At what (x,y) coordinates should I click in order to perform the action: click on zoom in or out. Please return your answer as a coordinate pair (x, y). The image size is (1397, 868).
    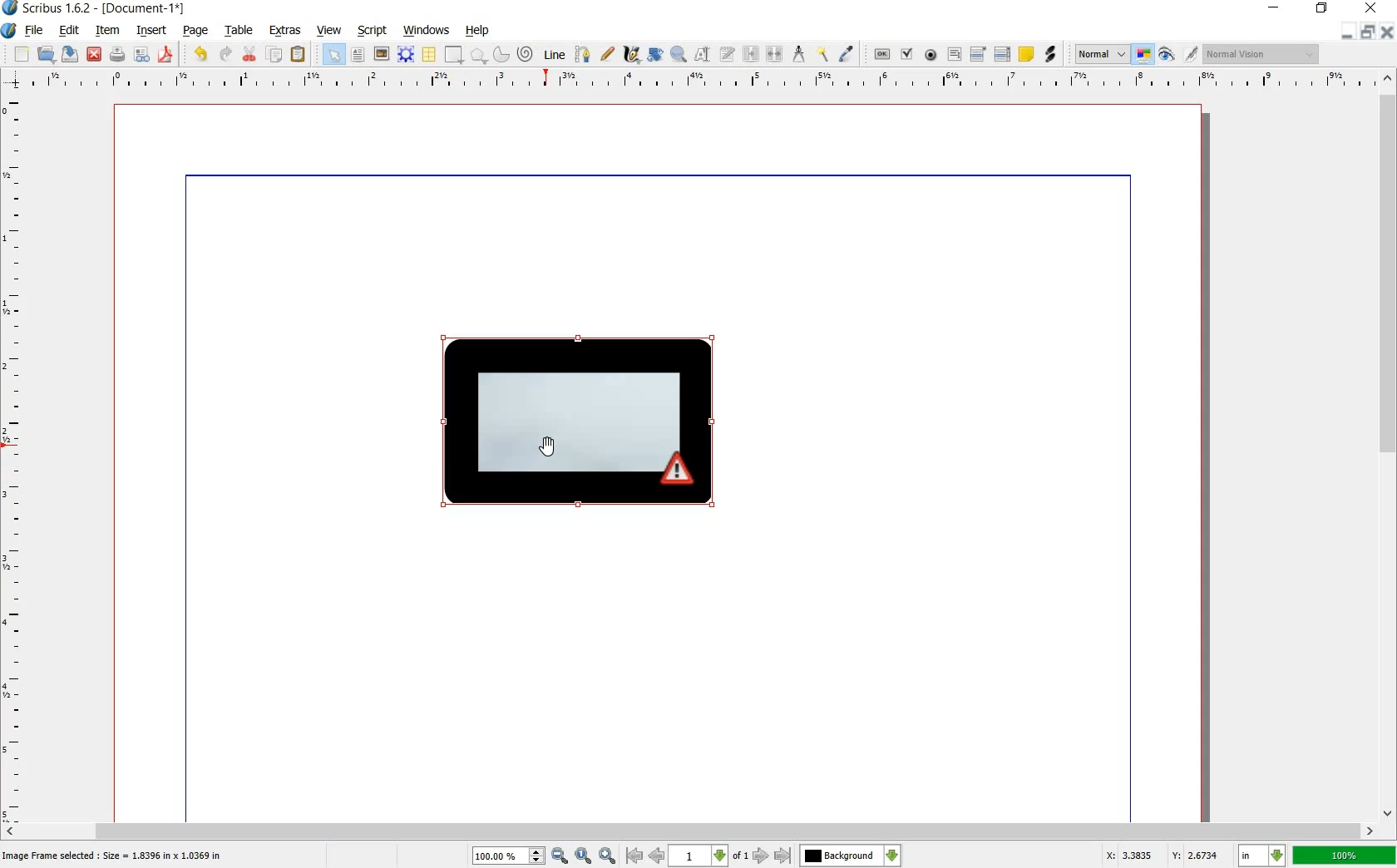
    Looking at the image, I should click on (678, 52).